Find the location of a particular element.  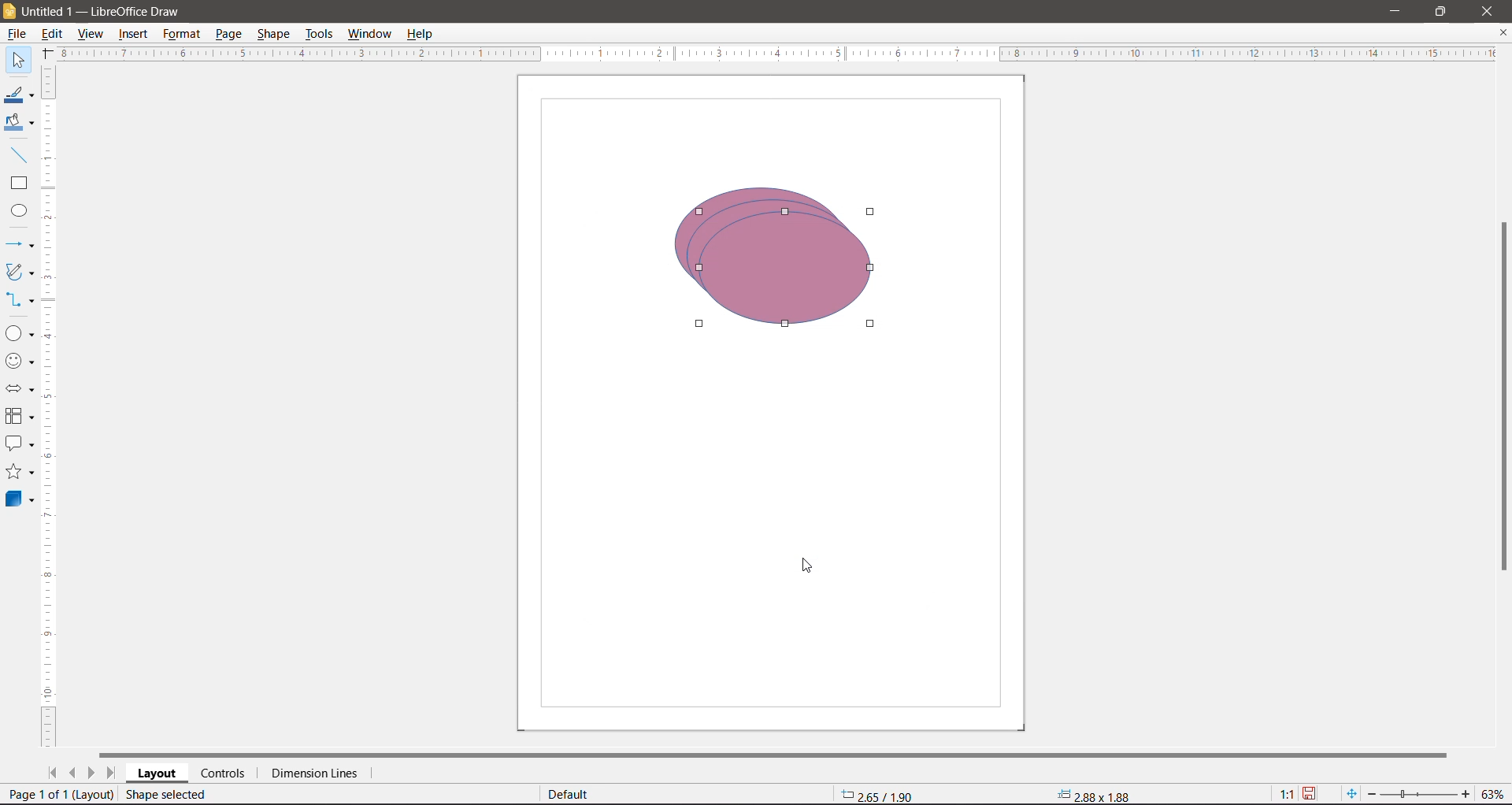

Close is located at coordinates (1487, 11).